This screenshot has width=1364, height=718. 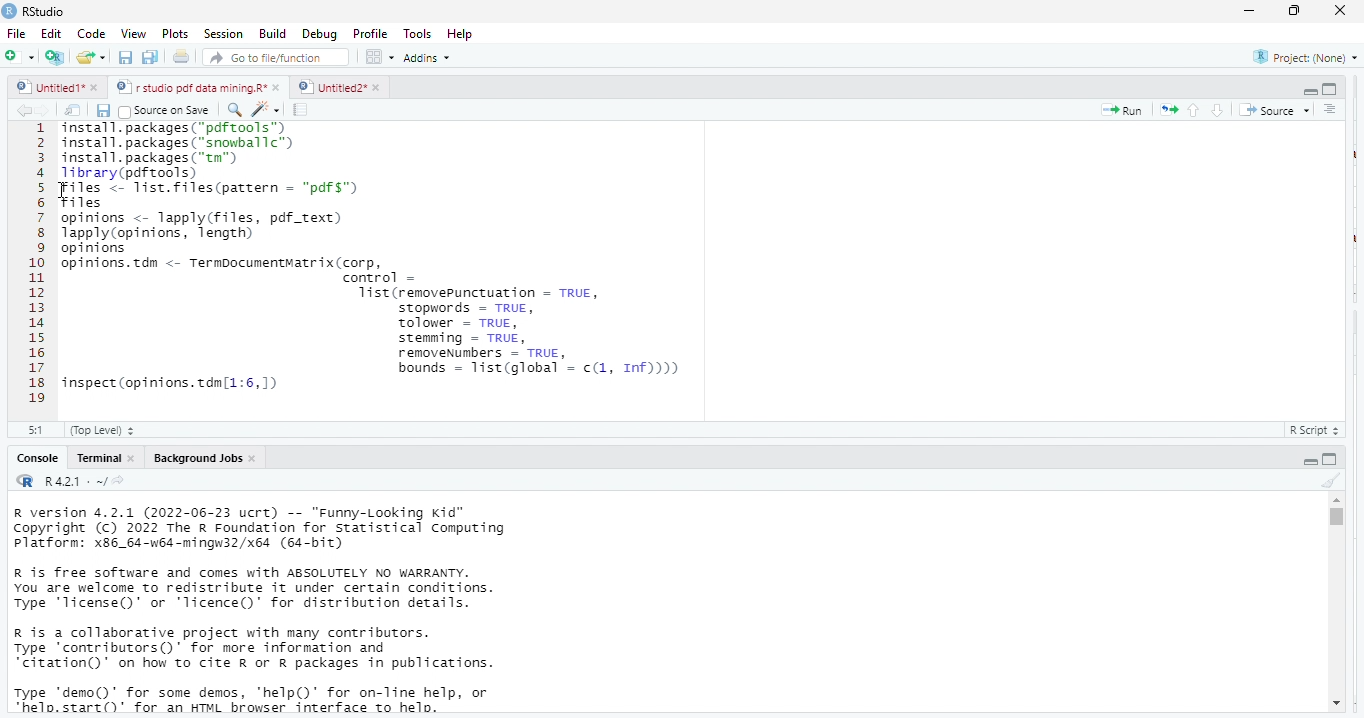 What do you see at coordinates (1311, 460) in the screenshot?
I see `hide r script` at bounding box center [1311, 460].